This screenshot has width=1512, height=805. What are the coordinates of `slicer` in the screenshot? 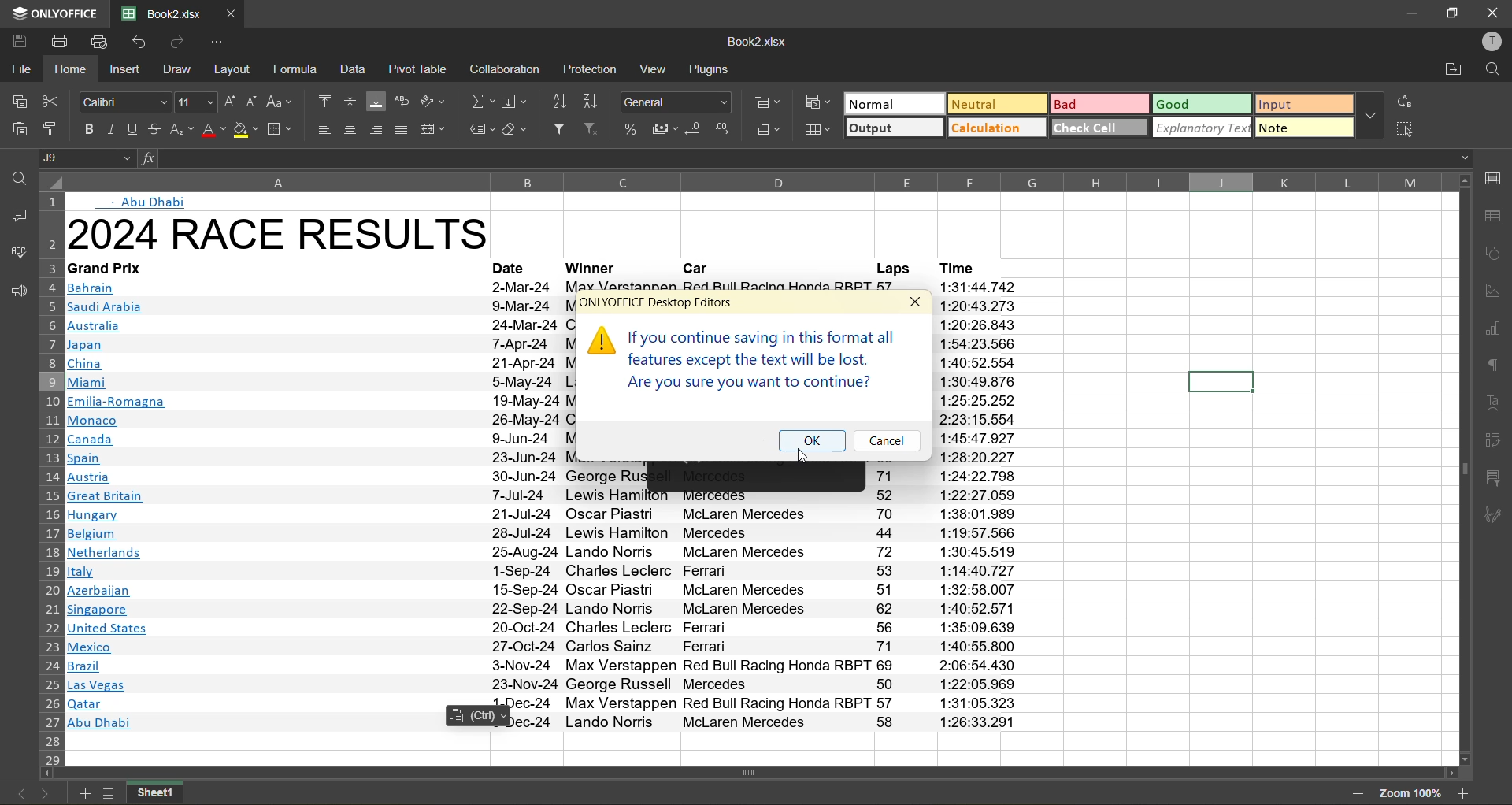 It's located at (1495, 479).